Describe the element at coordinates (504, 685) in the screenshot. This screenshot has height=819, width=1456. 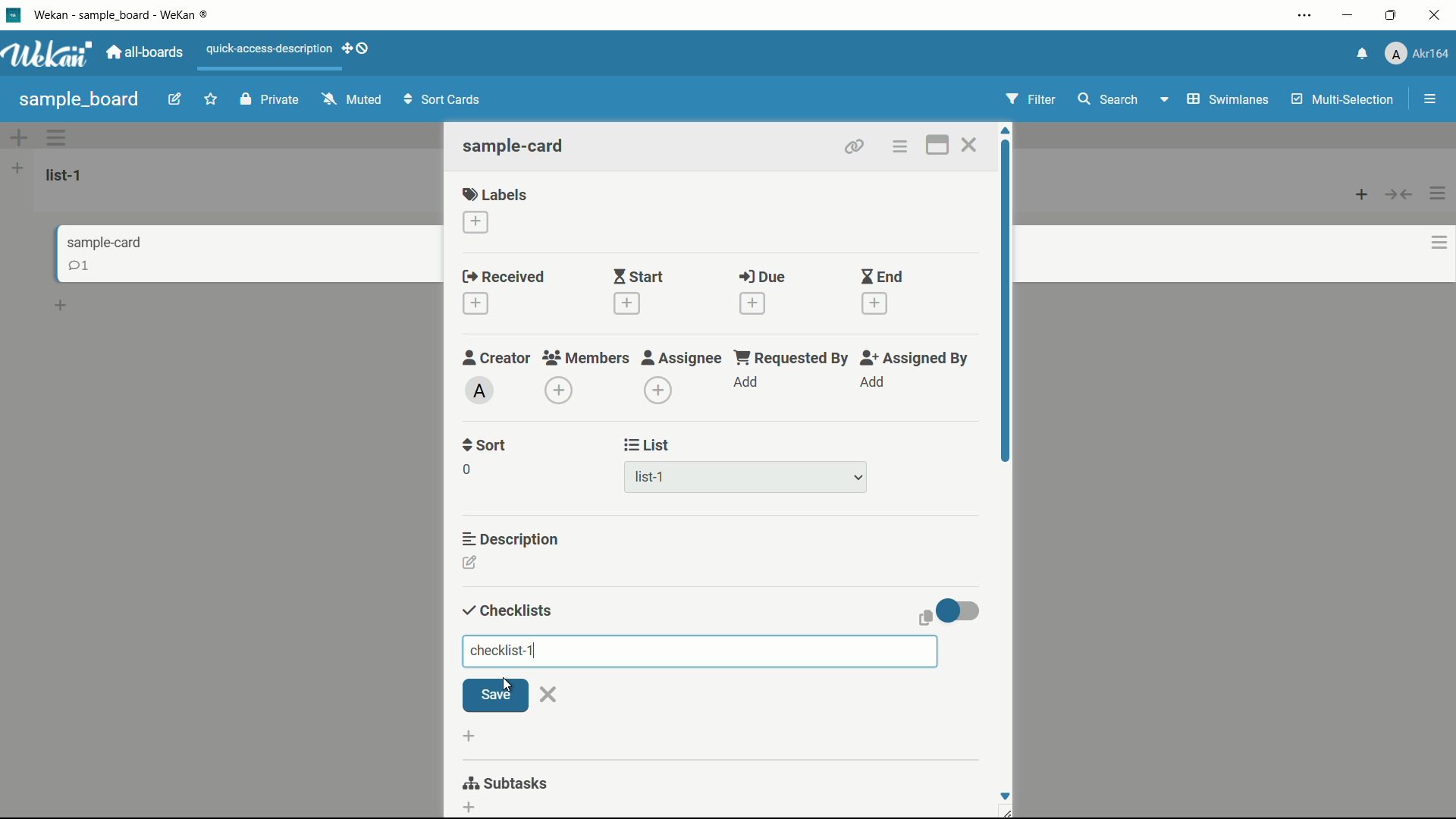
I see `cursor` at that location.